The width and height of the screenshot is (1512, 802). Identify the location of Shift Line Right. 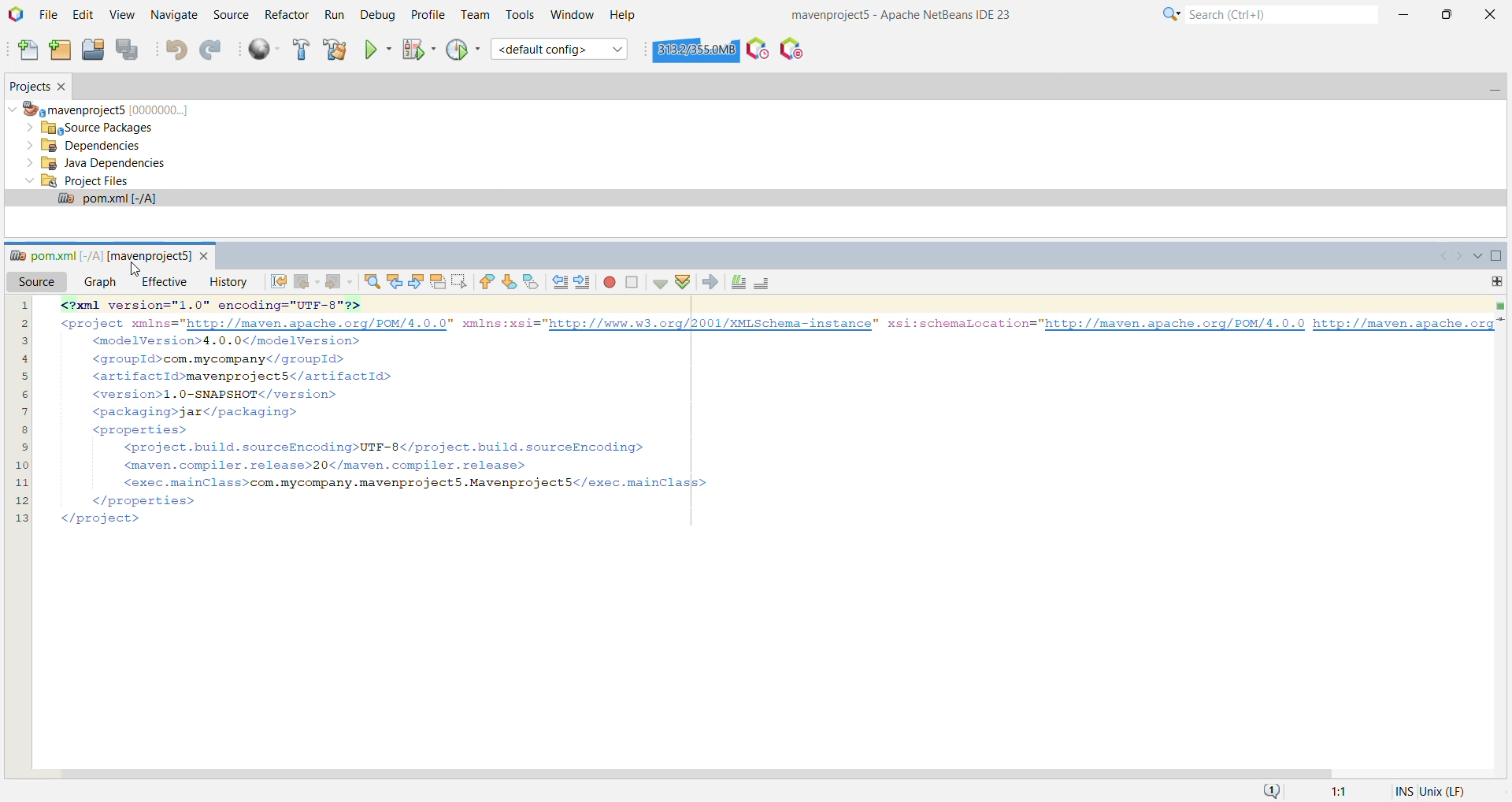
(582, 283).